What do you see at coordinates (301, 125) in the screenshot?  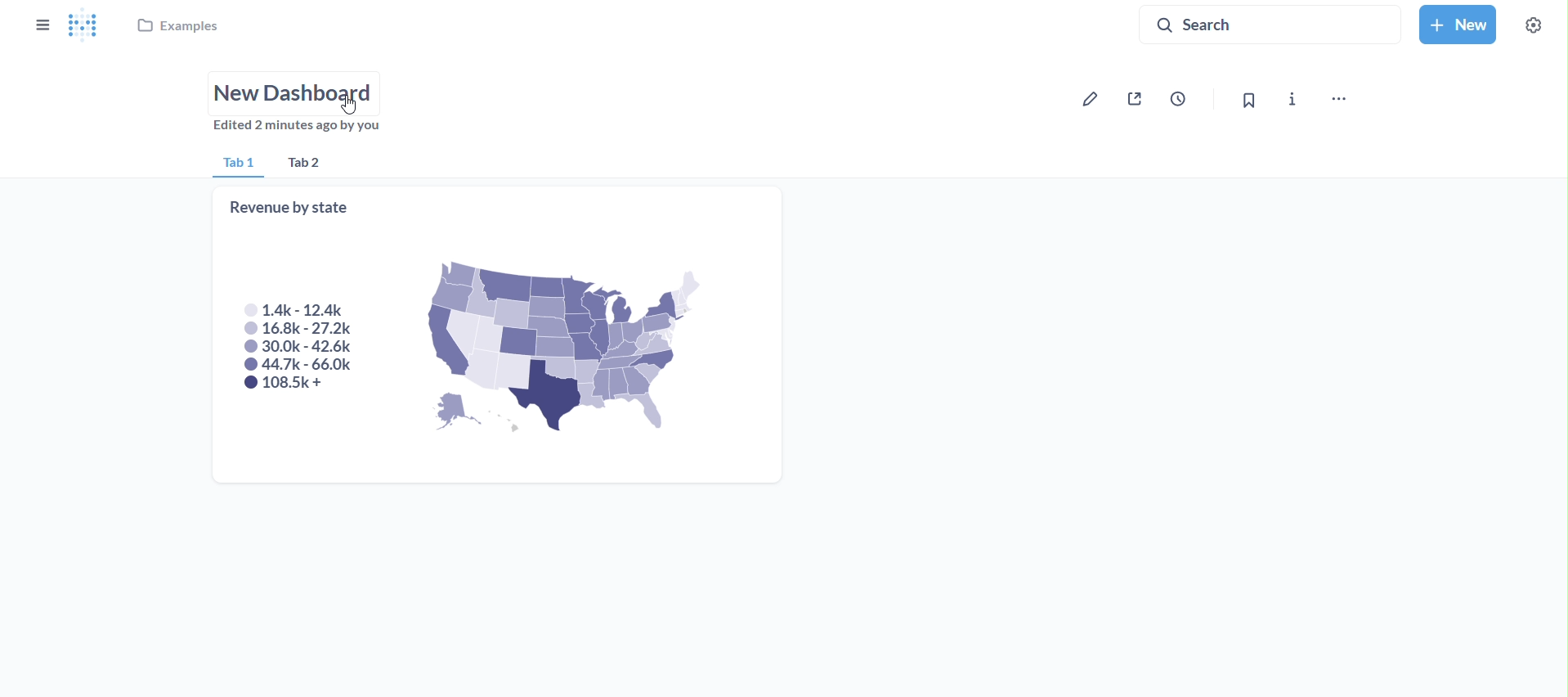 I see `edited 2 minutes by you` at bounding box center [301, 125].